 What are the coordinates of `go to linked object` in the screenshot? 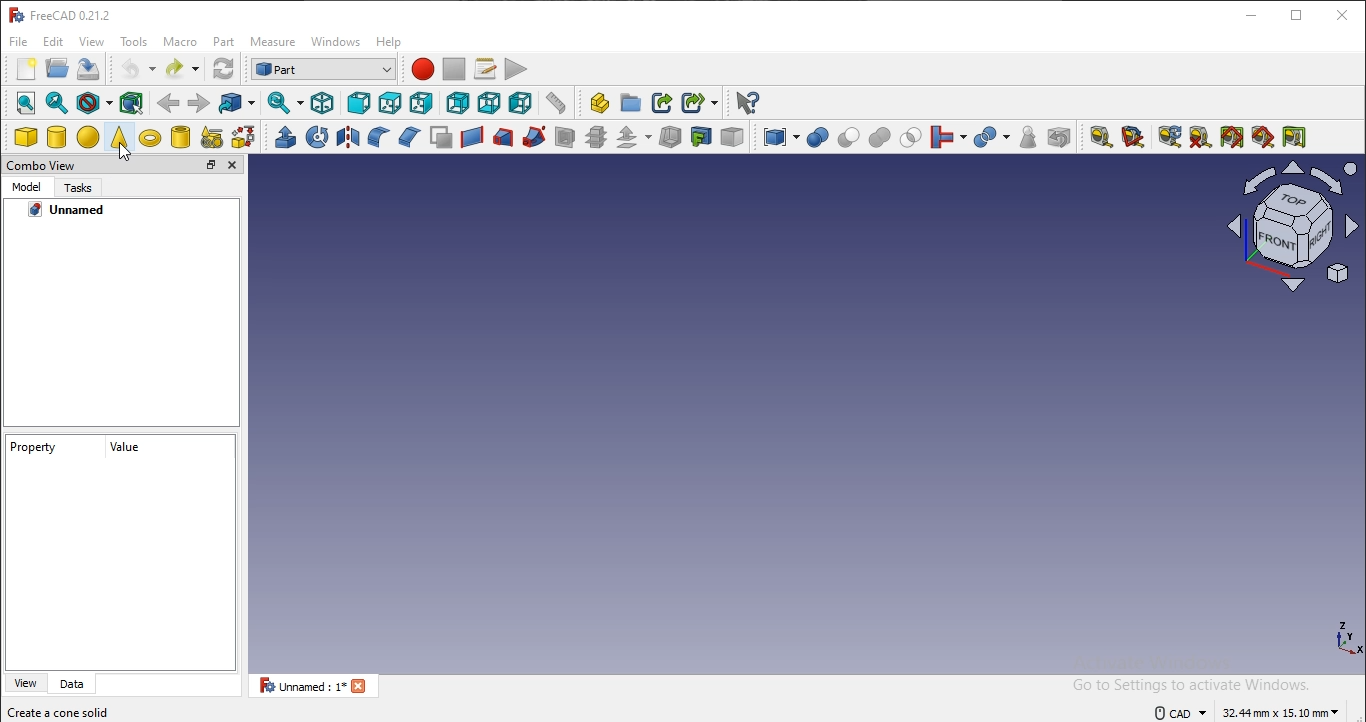 It's located at (235, 104).